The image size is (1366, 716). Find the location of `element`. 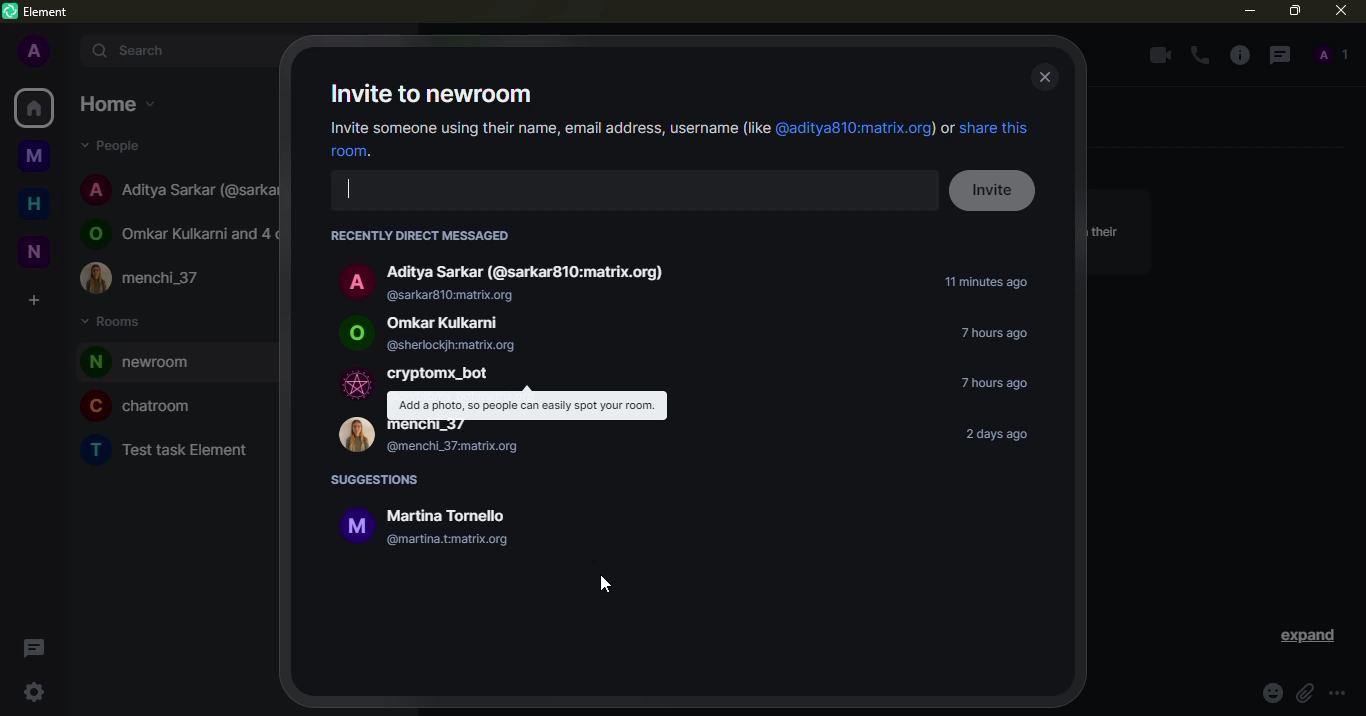

element is located at coordinates (38, 12).